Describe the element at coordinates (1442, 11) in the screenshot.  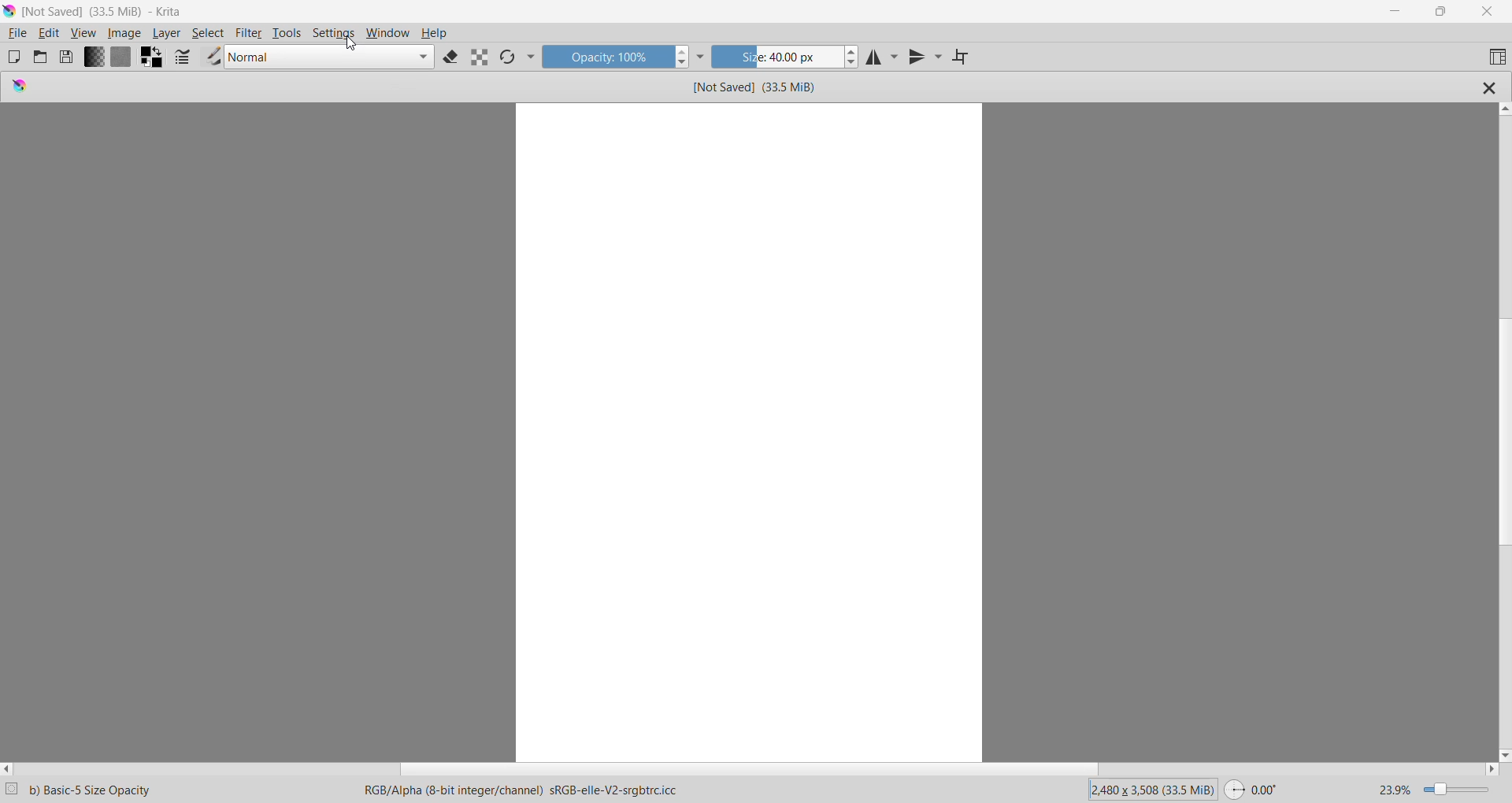
I see `Restore Down` at that location.